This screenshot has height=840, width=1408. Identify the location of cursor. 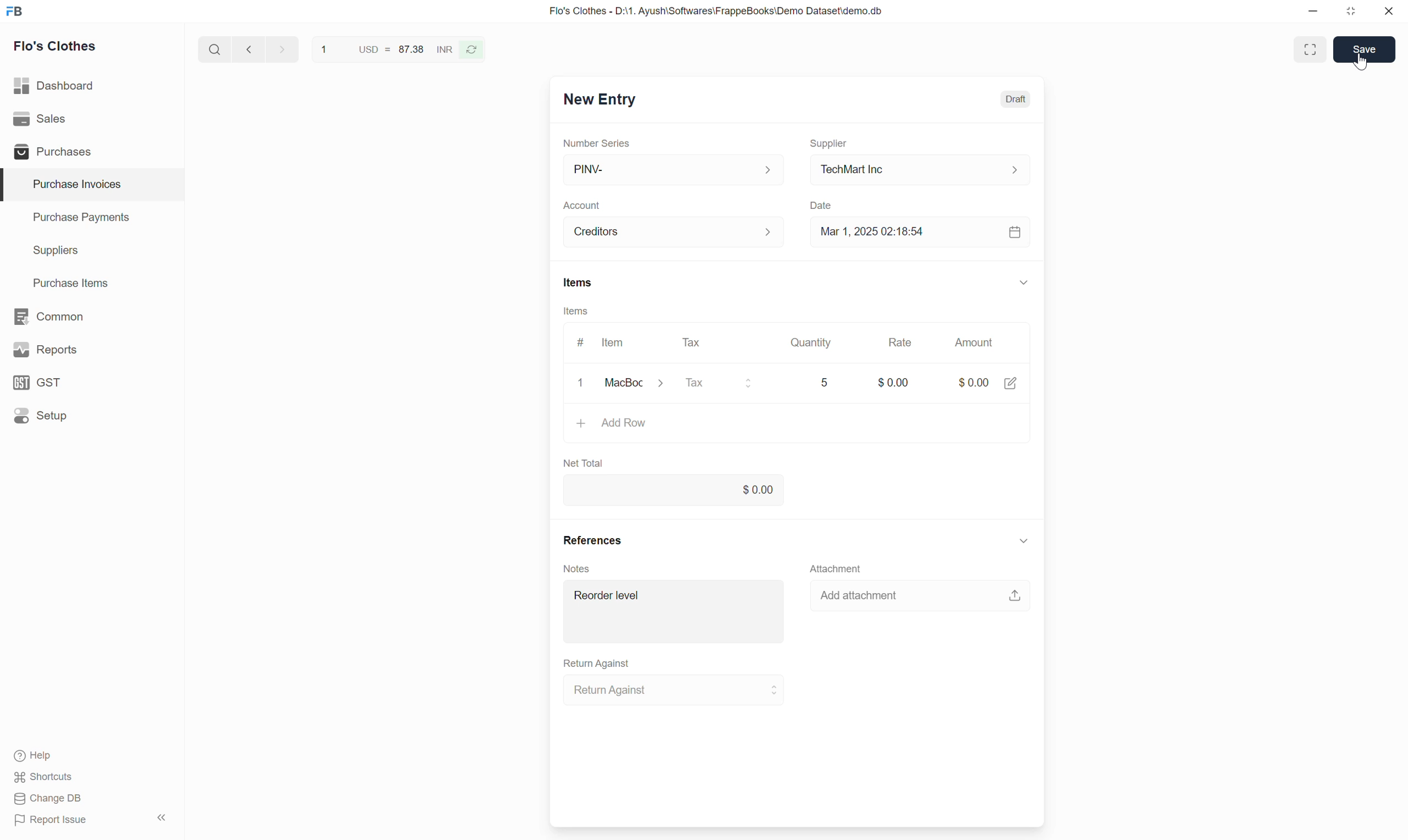
(1362, 61).